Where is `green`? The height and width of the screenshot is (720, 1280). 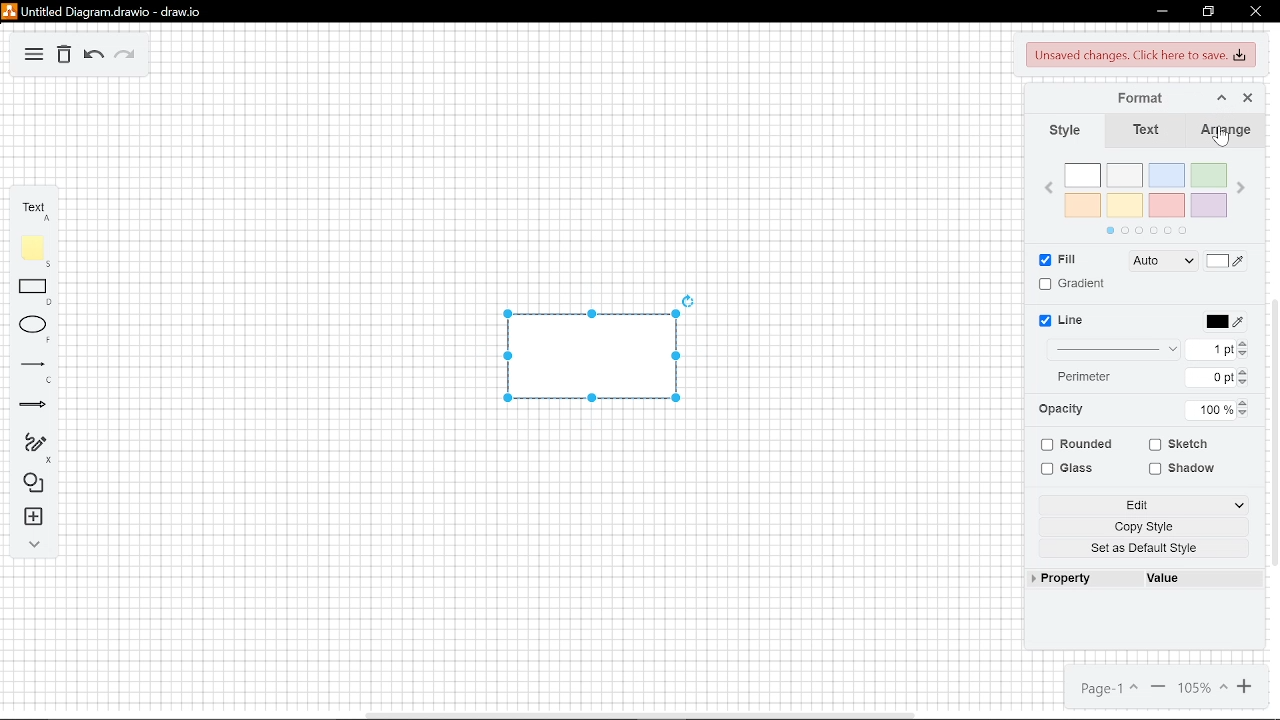 green is located at coordinates (1210, 174).